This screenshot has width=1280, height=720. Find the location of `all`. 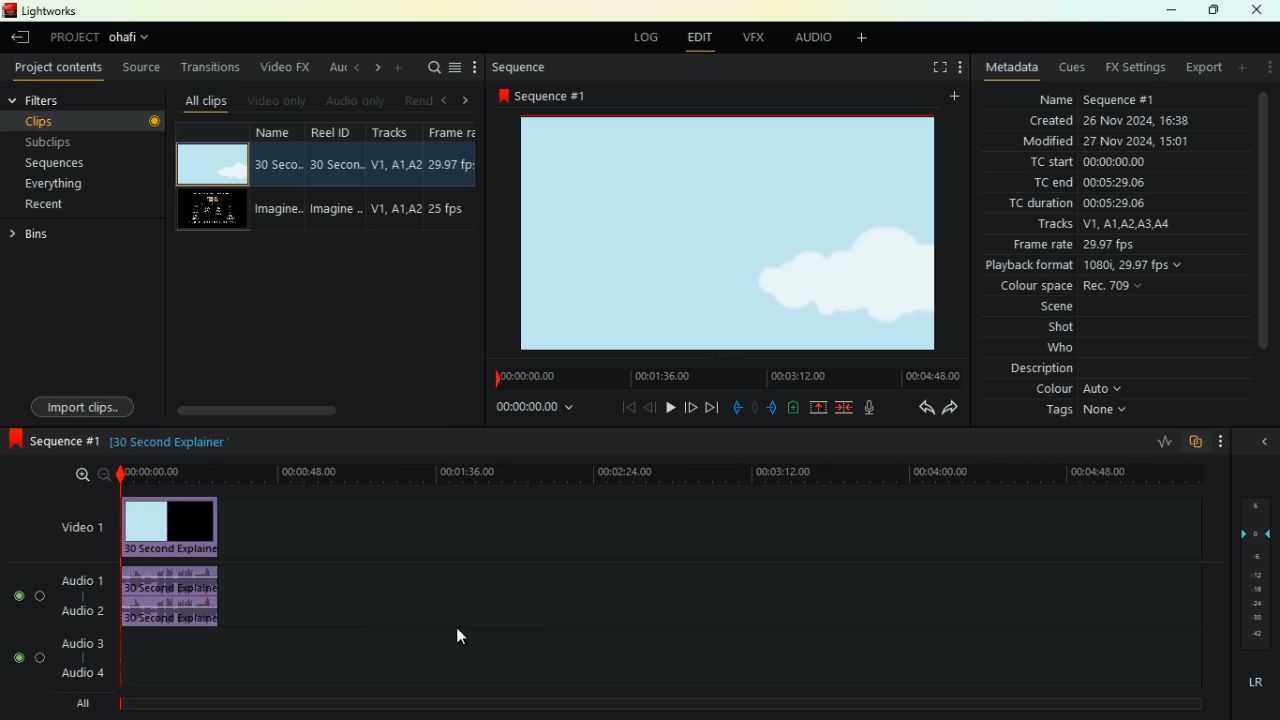

all is located at coordinates (80, 705).